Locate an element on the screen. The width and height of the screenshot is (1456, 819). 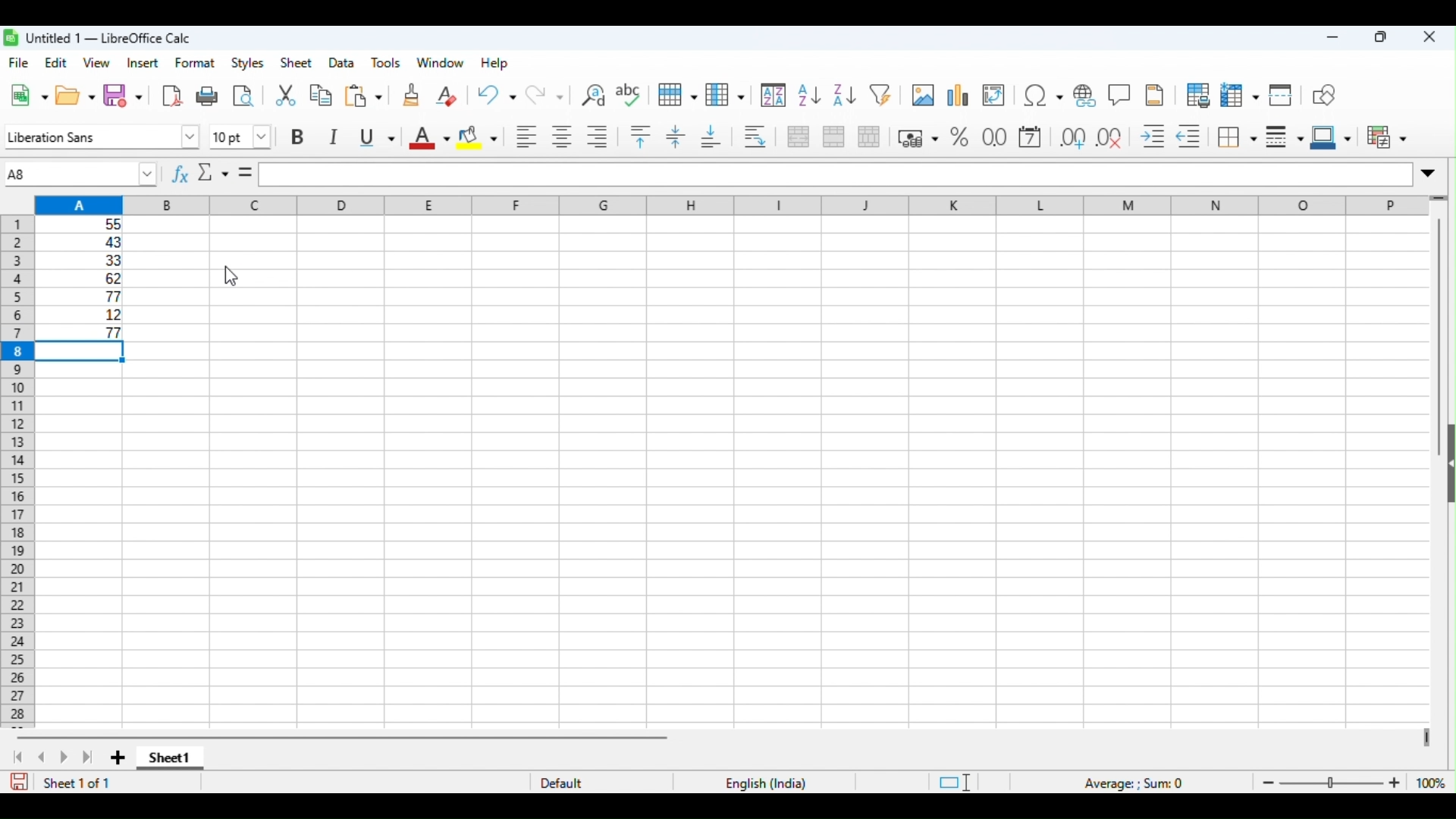
sheet is located at coordinates (296, 63).